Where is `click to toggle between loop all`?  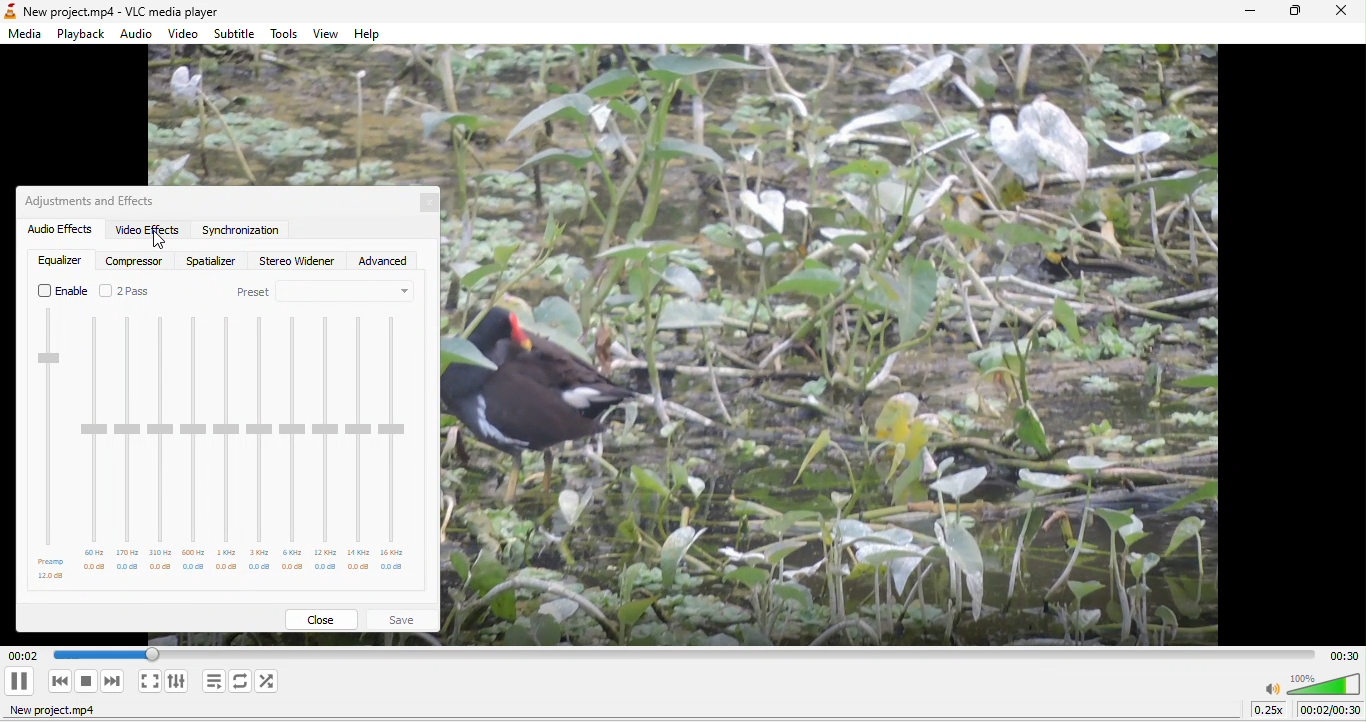 click to toggle between loop all is located at coordinates (241, 682).